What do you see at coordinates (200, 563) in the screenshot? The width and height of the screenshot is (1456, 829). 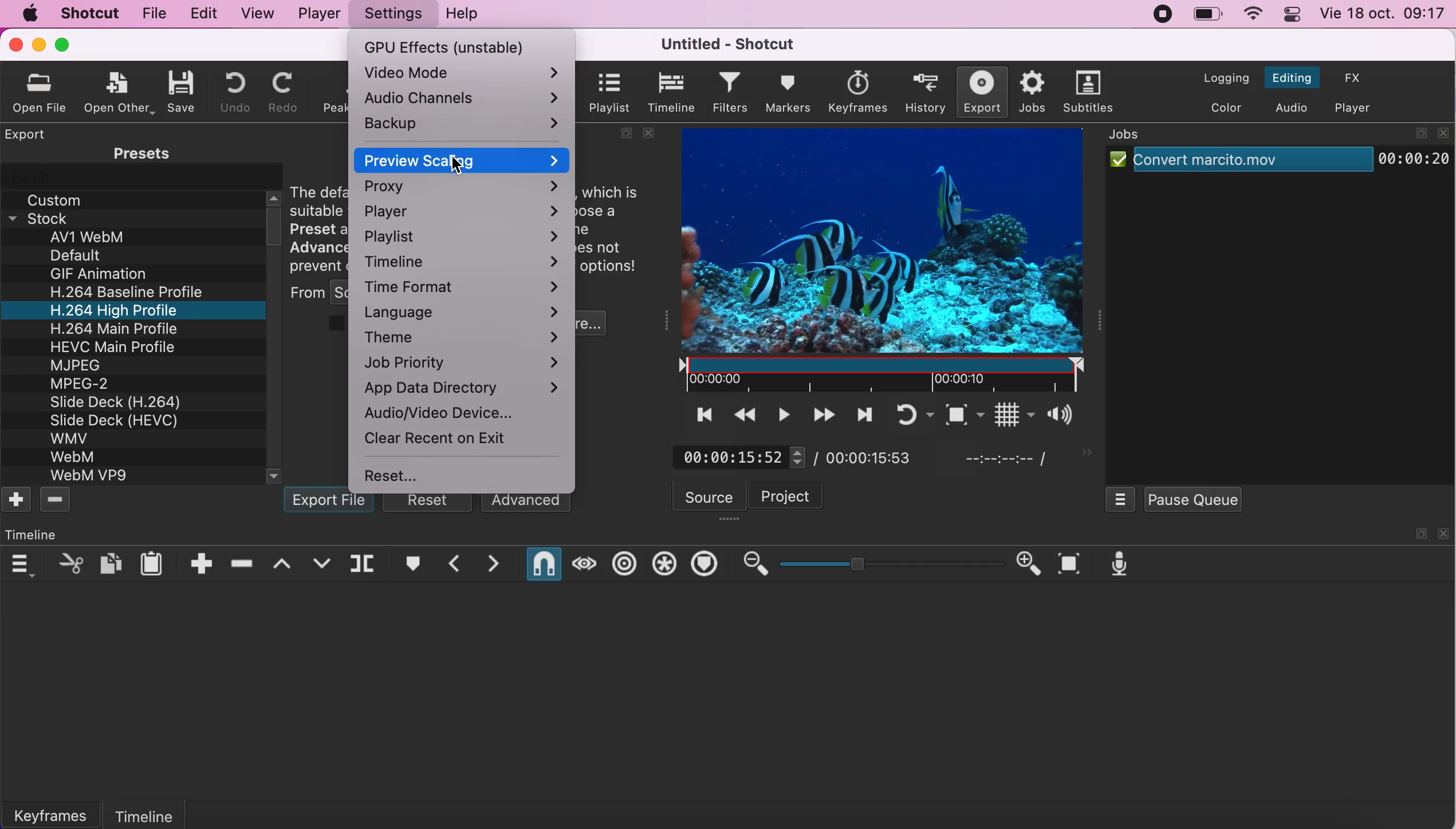 I see `append` at bounding box center [200, 563].